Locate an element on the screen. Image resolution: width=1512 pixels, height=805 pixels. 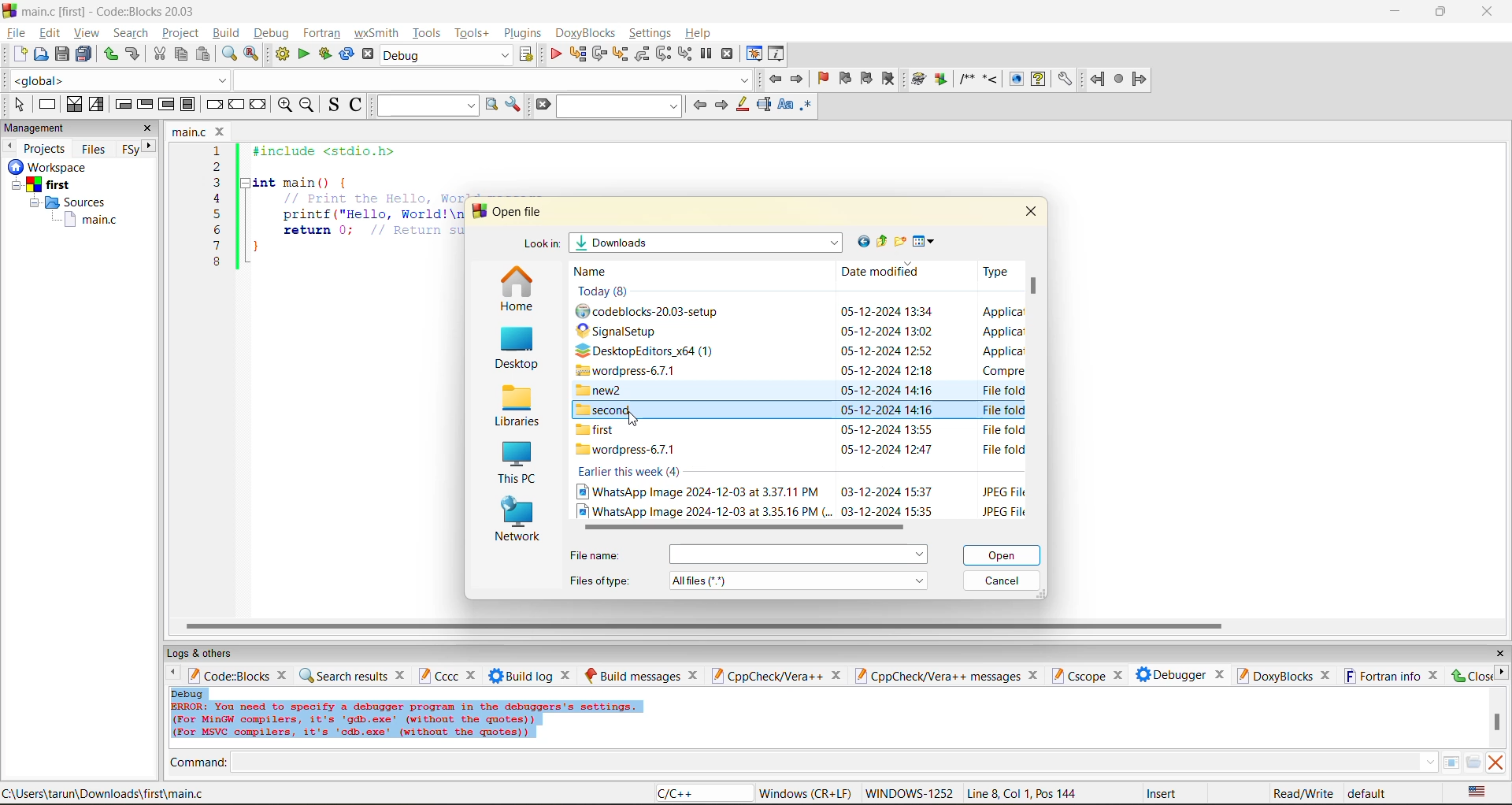
8 is located at coordinates (217, 262).